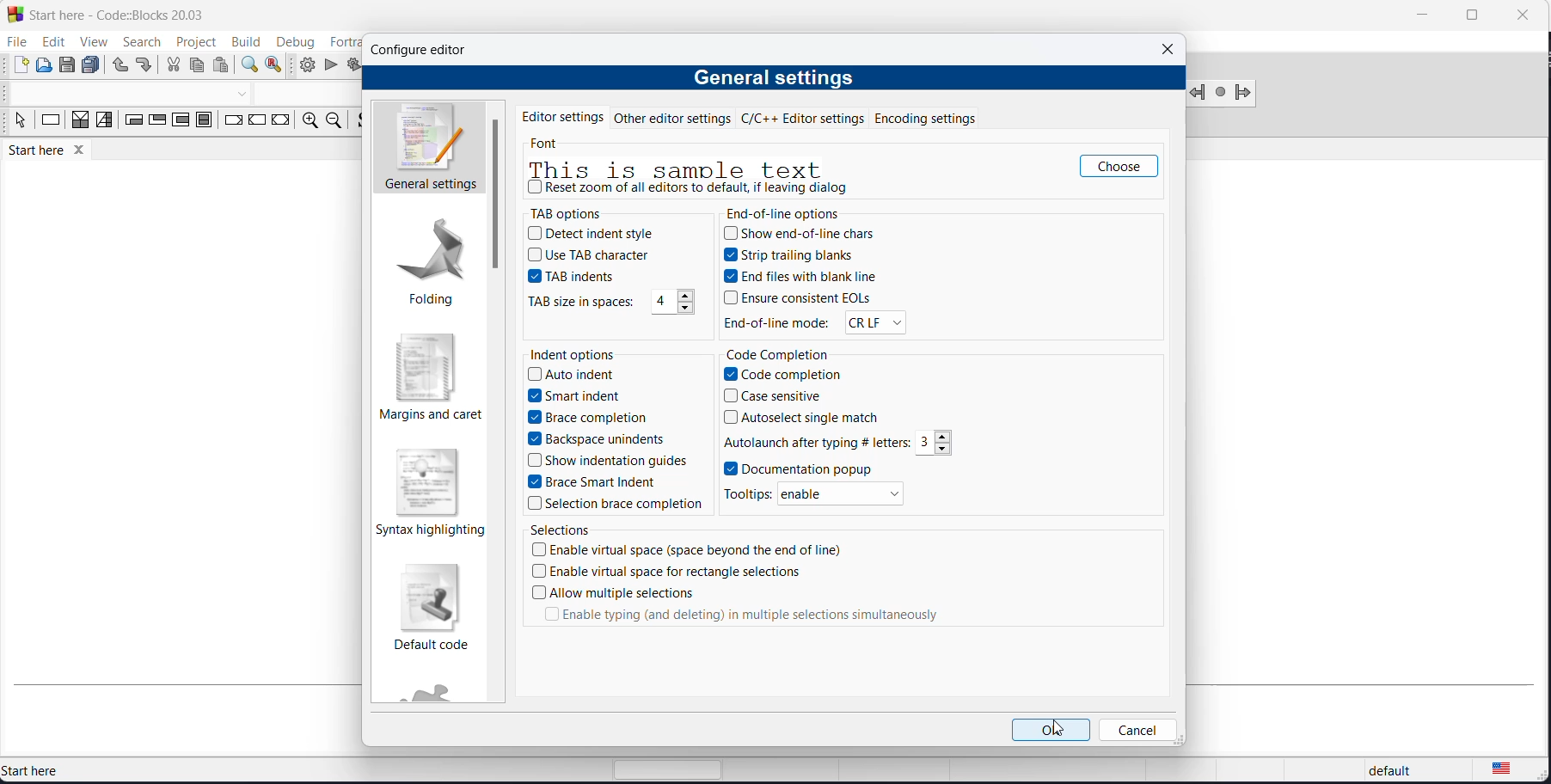 The width and height of the screenshot is (1551, 784). Describe the element at coordinates (119, 66) in the screenshot. I see `undo` at that location.